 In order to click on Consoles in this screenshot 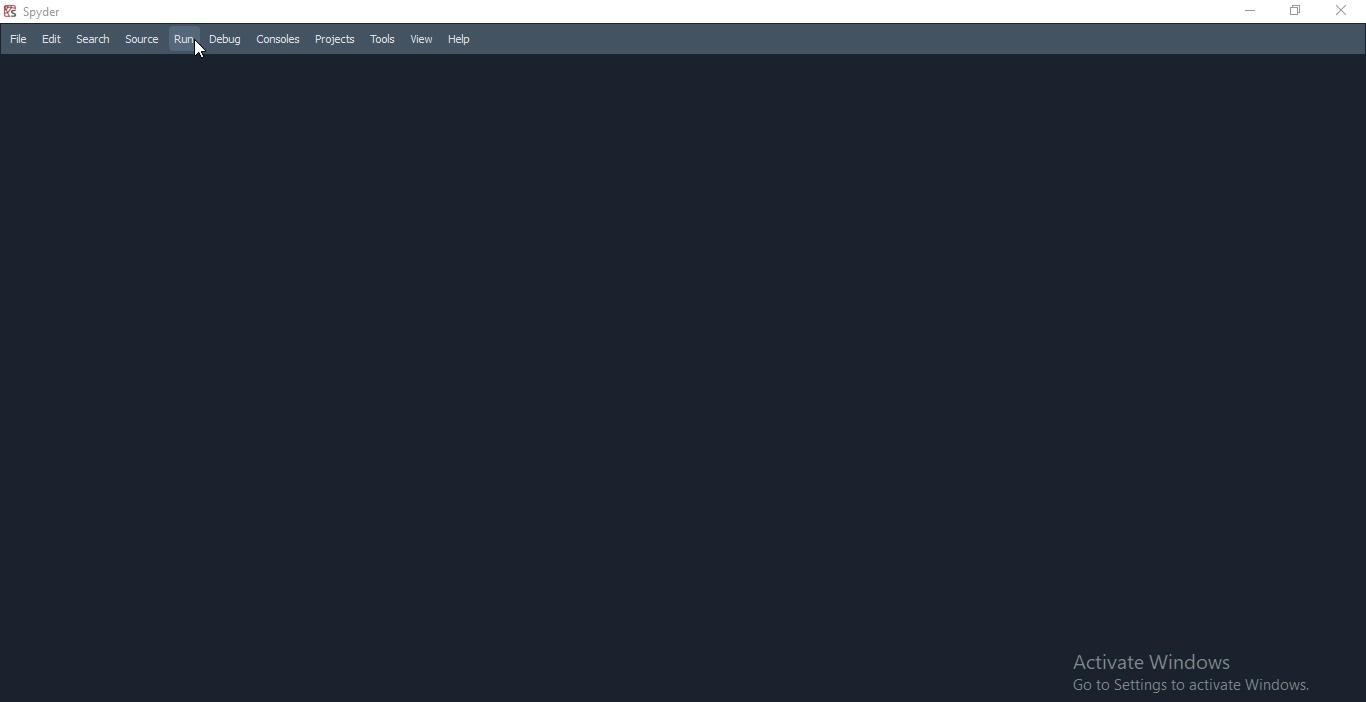, I will do `click(277, 39)`.